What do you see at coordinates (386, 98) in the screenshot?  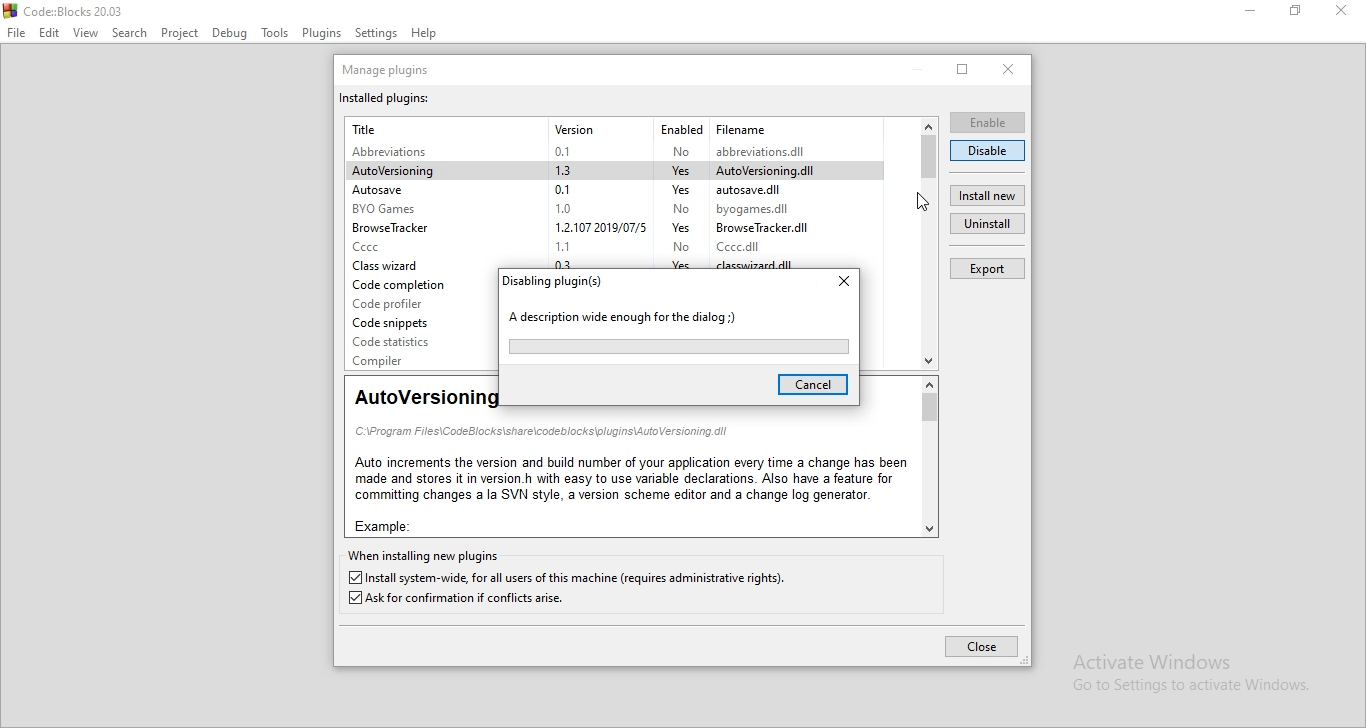 I see `installed plugins` at bounding box center [386, 98].